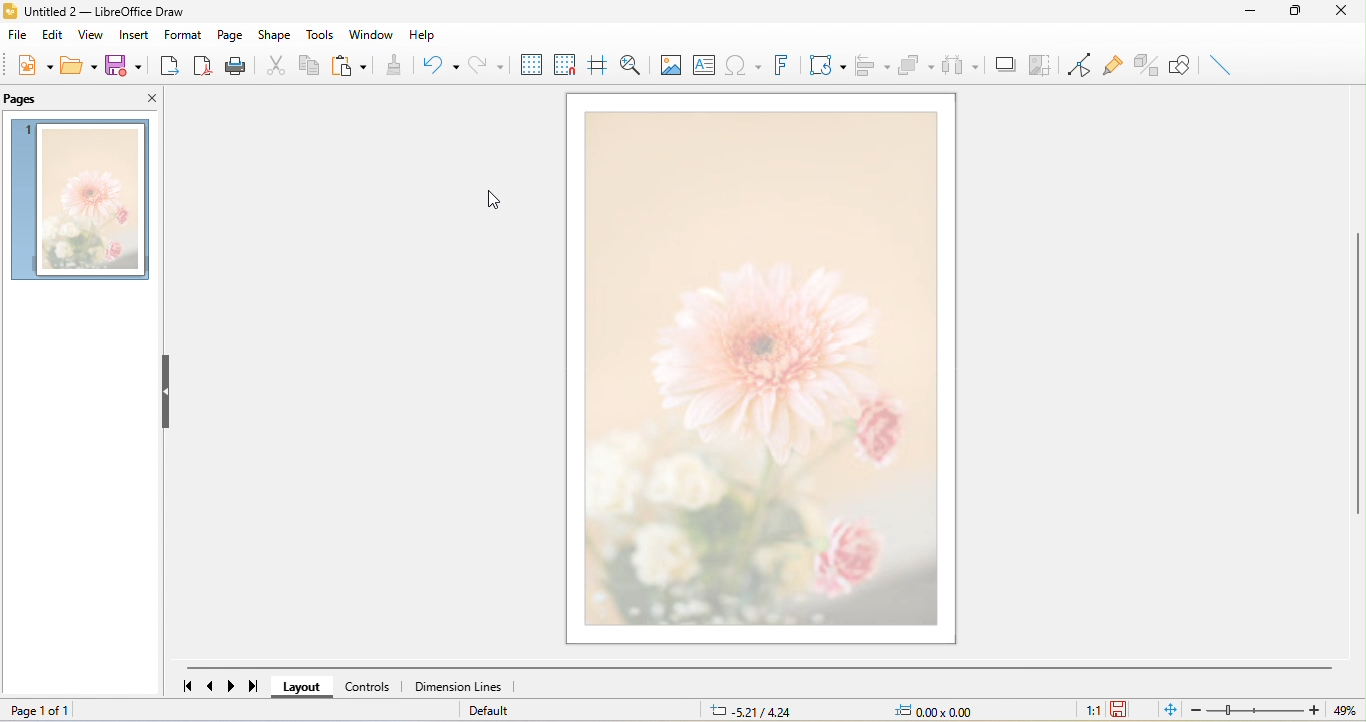 This screenshot has height=722, width=1366. Describe the element at coordinates (94, 34) in the screenshot. I see `view` at that location.